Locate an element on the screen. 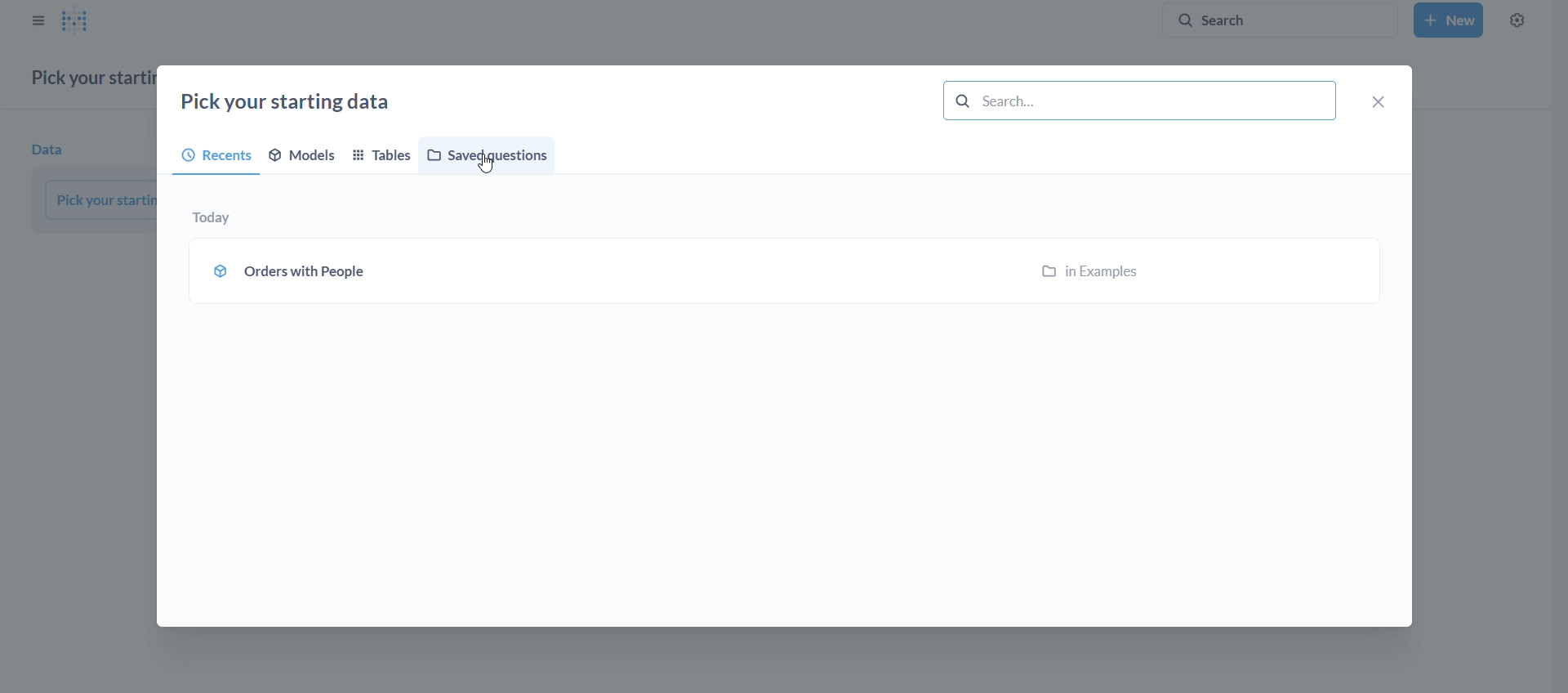 The height and width of the screenshot is (693, 1568). models is located at coordinates (305, 154).